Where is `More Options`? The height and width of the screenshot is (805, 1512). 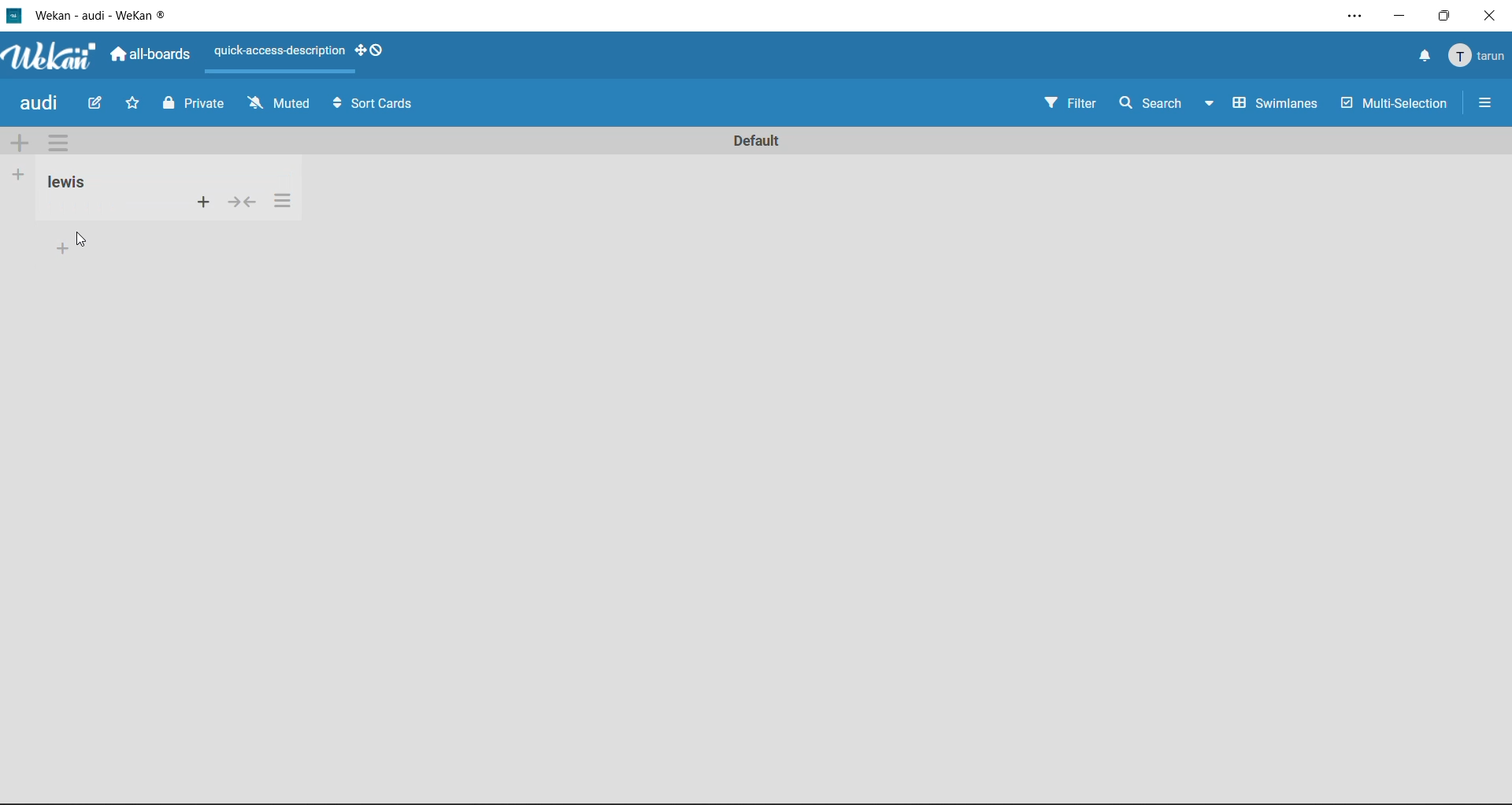 More Options is located at coordinates (1489, 102).